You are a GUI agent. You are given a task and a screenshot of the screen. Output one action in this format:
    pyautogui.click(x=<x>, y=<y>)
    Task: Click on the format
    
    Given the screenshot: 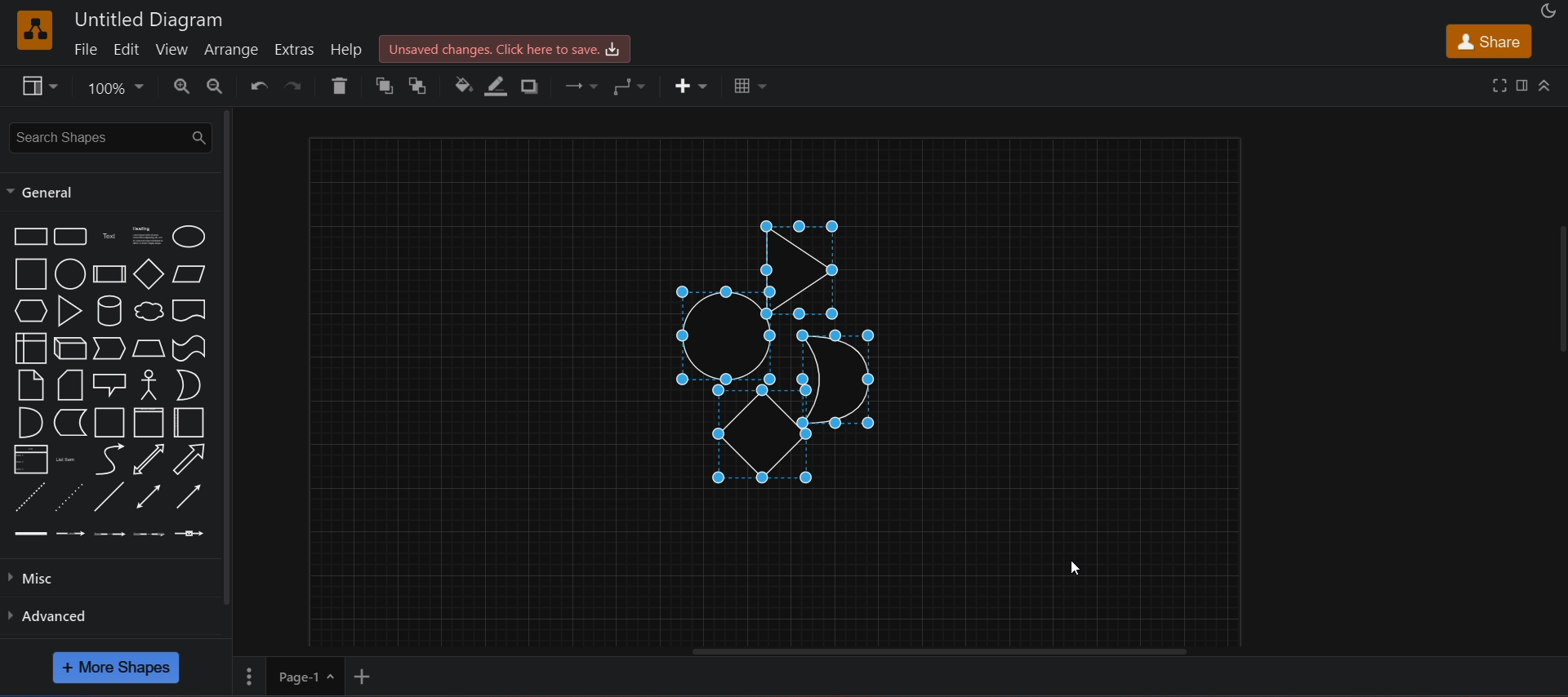 What is the action you would take?
    pyautogui.click(x=1522, y=85)
    